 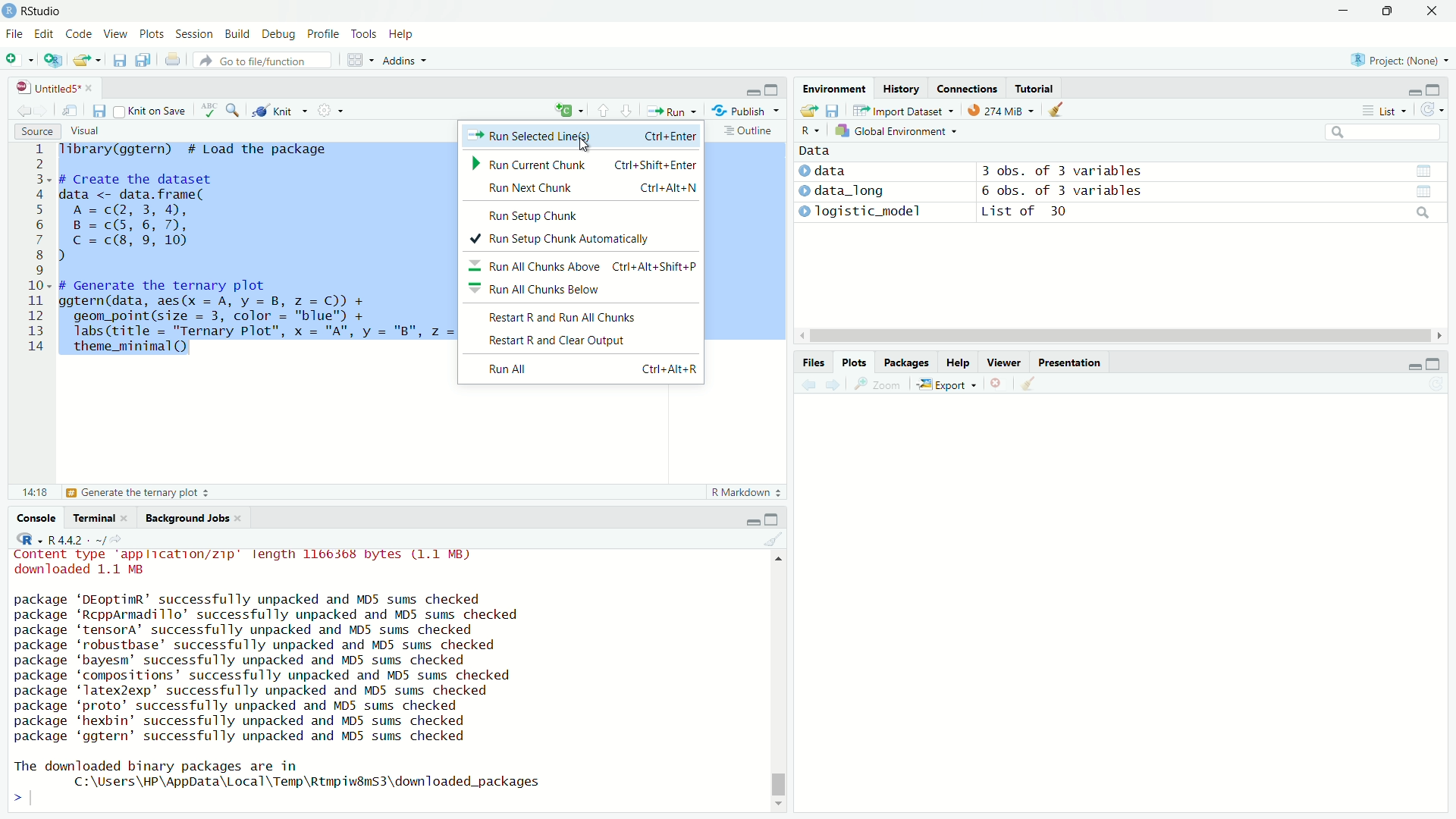 I want to click on minimise, so click(x=752, y=89).